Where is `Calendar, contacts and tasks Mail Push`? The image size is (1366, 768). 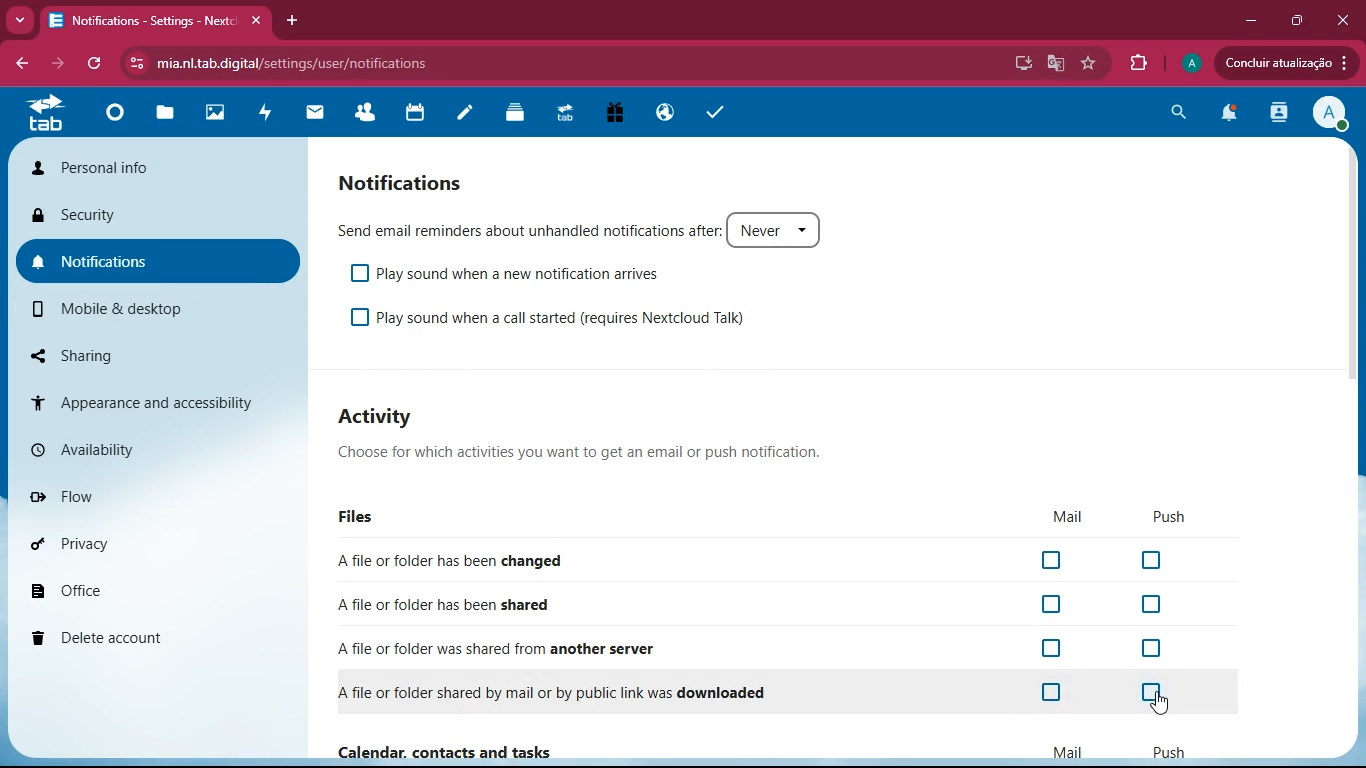 Calendar, contacts and tasks Mail Push is located at coordinates (764, 750).